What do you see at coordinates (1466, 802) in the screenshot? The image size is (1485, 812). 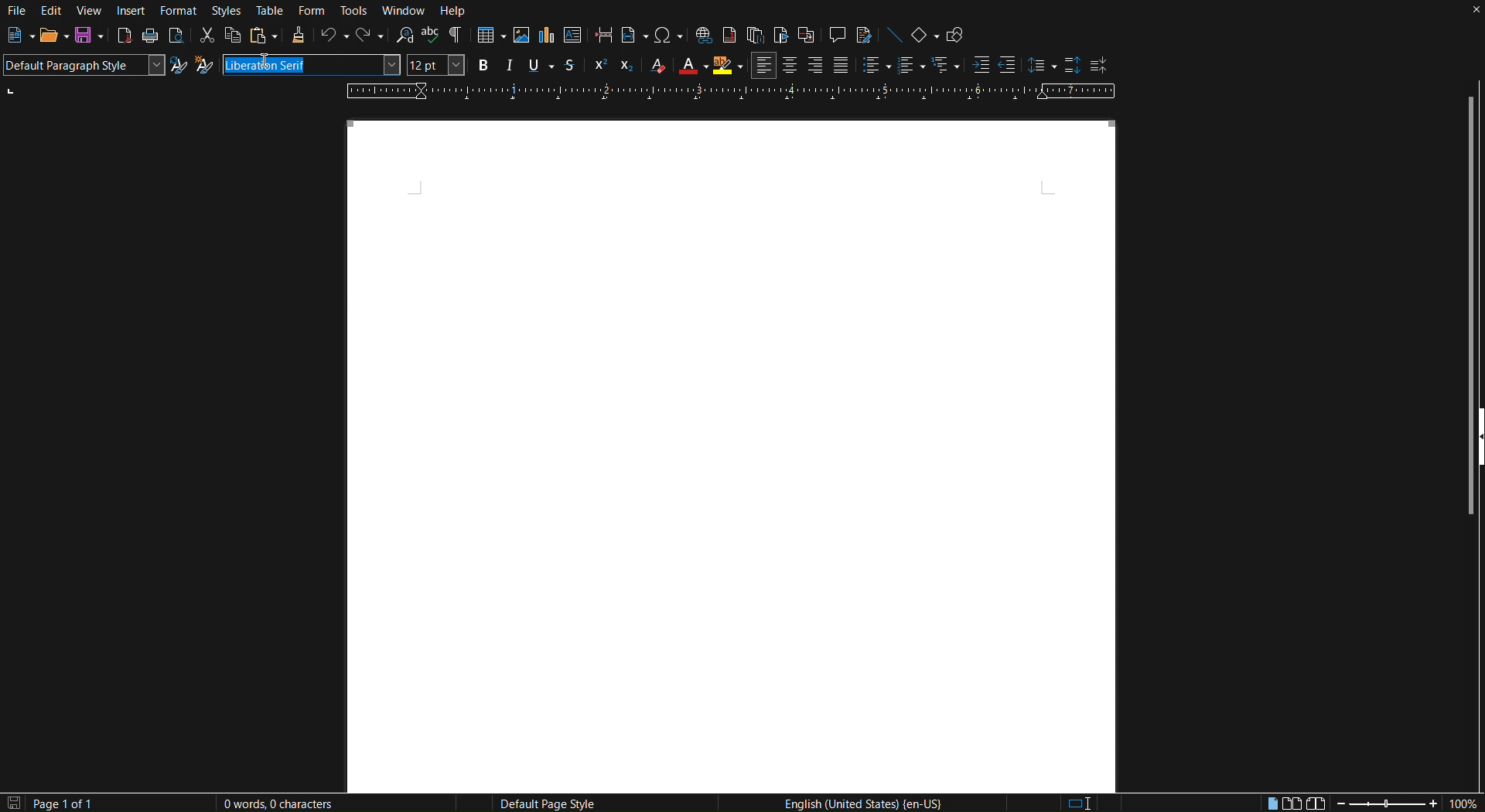 I see `Zoom factor` at bounding box center [1466, 802].